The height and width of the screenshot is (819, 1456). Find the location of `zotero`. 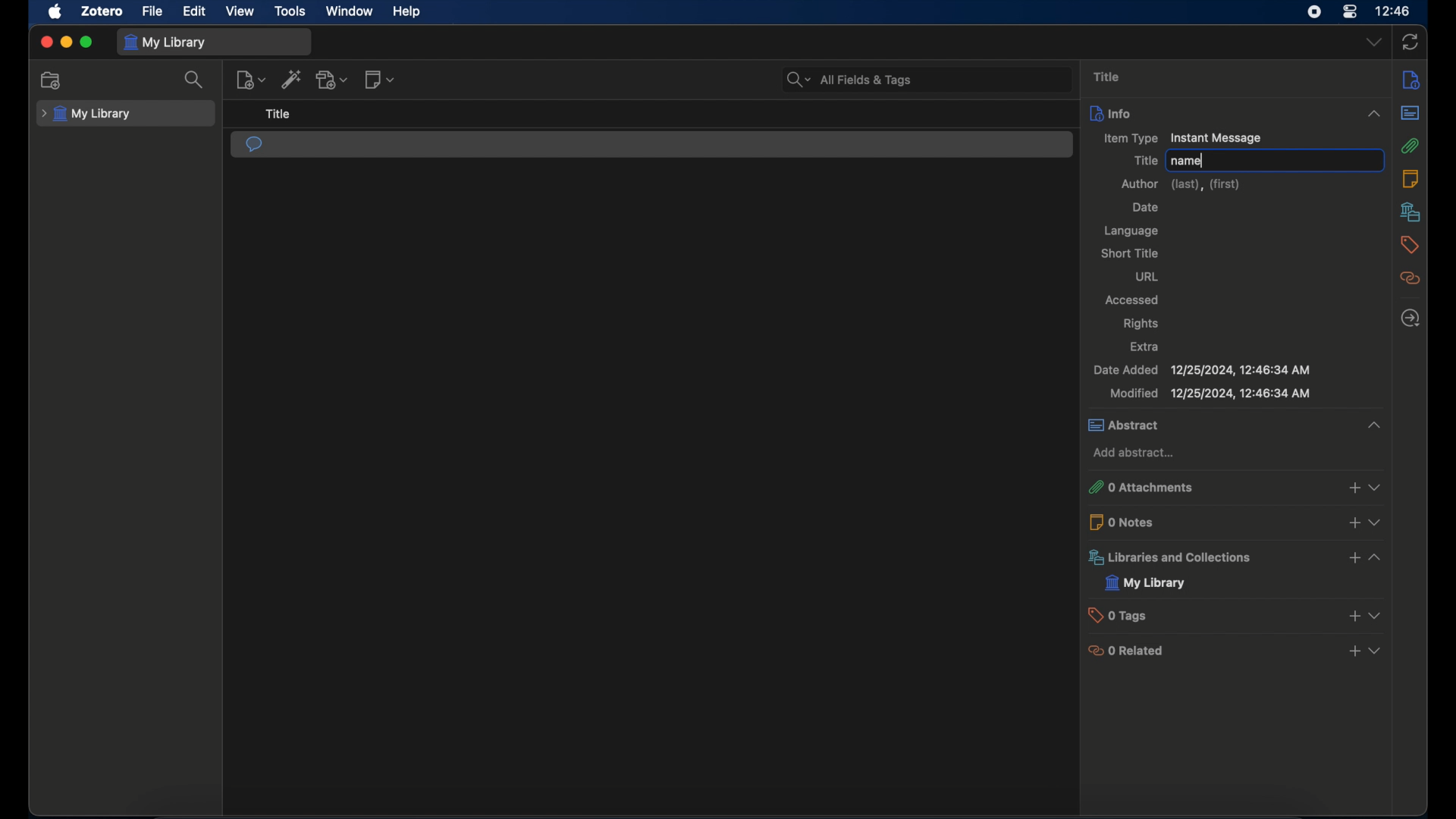

zotero is located at coordinates (103, 11).